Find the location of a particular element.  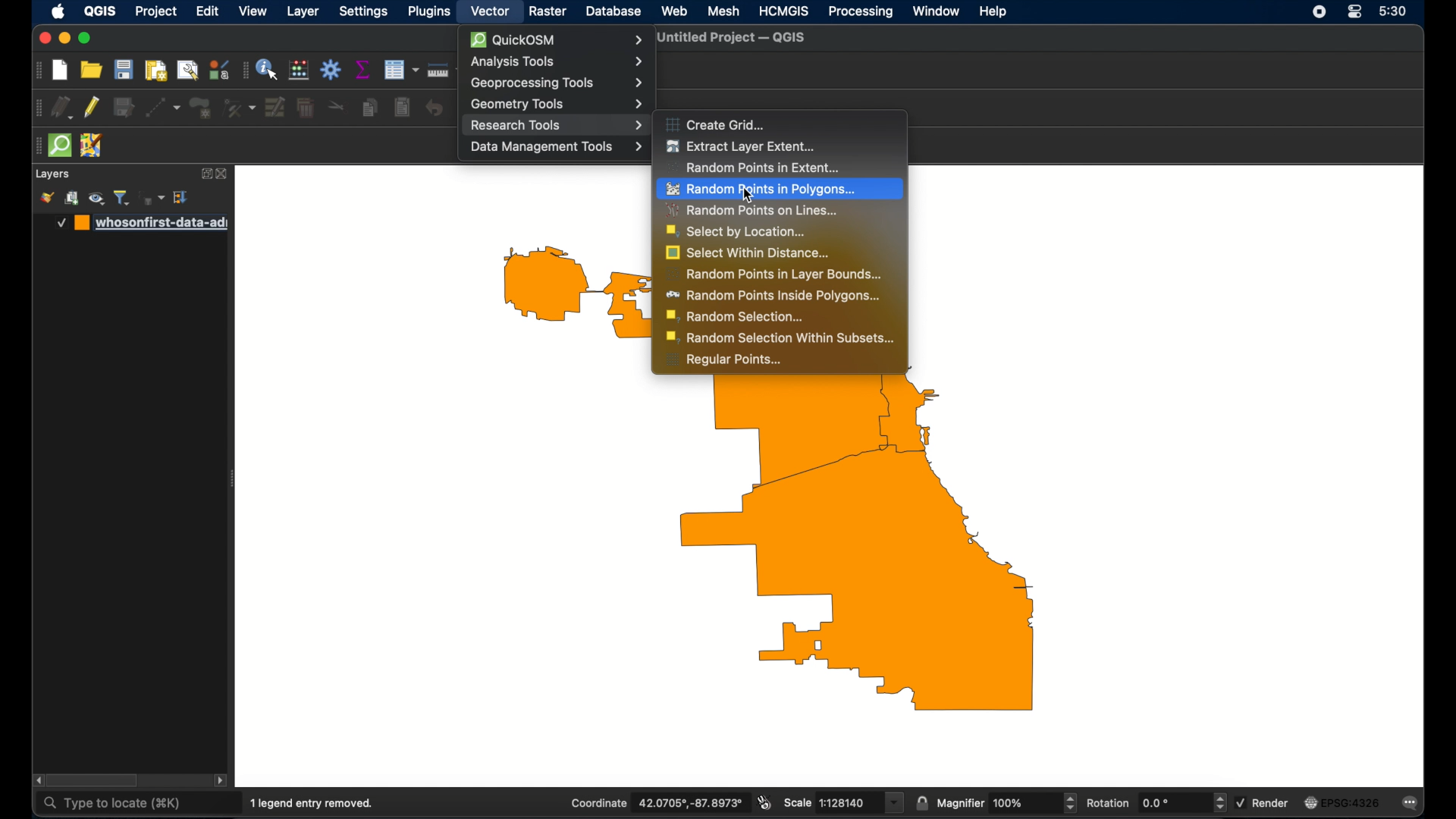

copy feature is located at coordinates (370, 108).